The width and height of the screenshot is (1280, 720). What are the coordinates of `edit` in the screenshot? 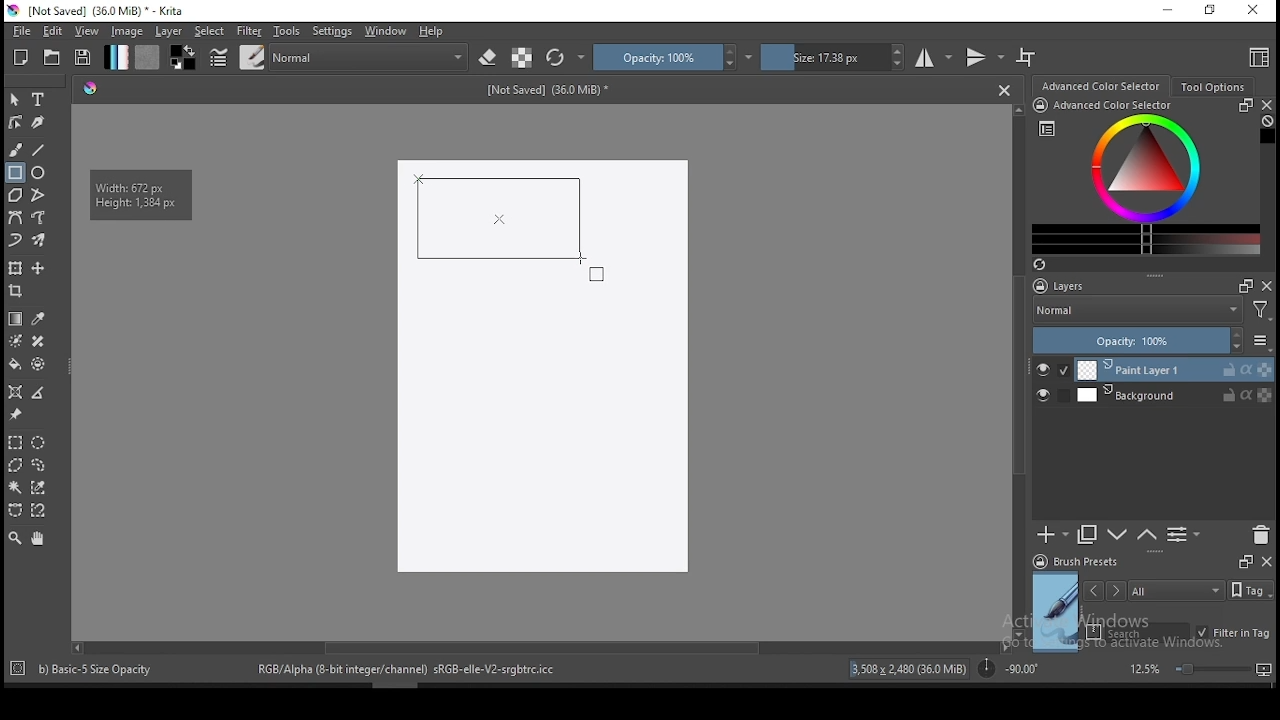 It's located at (52, 30).